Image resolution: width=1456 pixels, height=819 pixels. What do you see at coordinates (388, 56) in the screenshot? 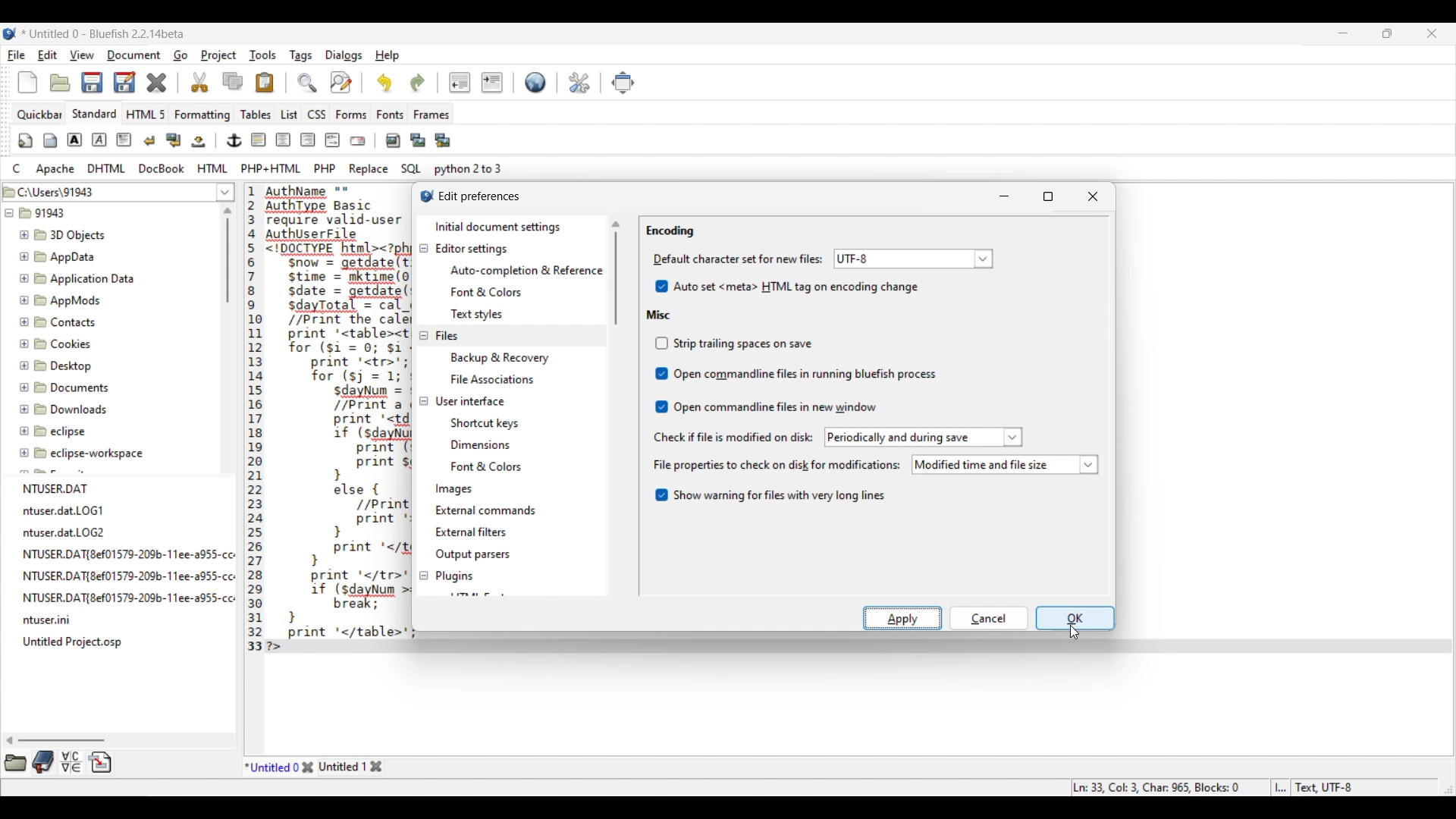
I see `Help menu` at bounding box center [388, 56].